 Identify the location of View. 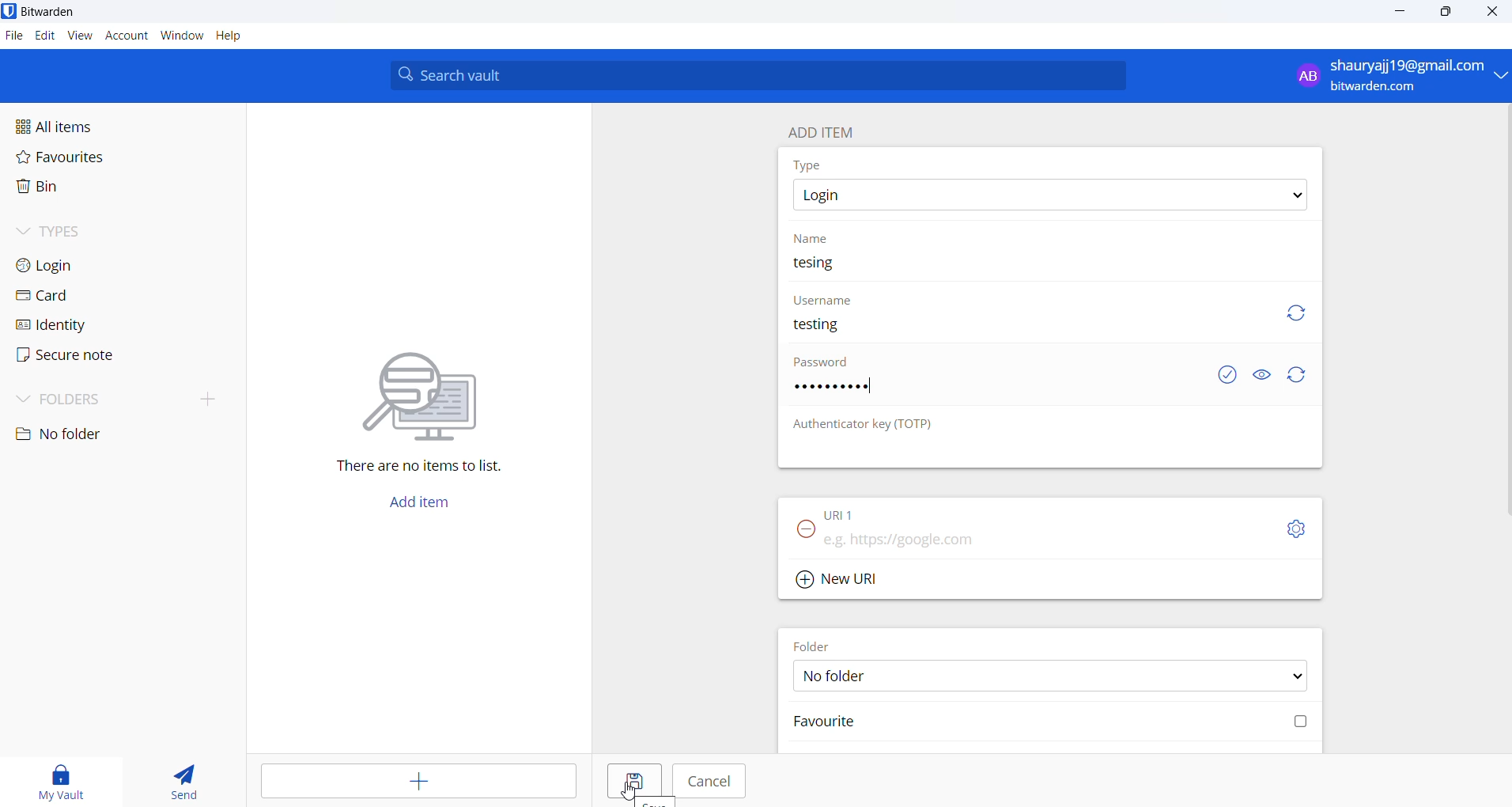
(81, 36).